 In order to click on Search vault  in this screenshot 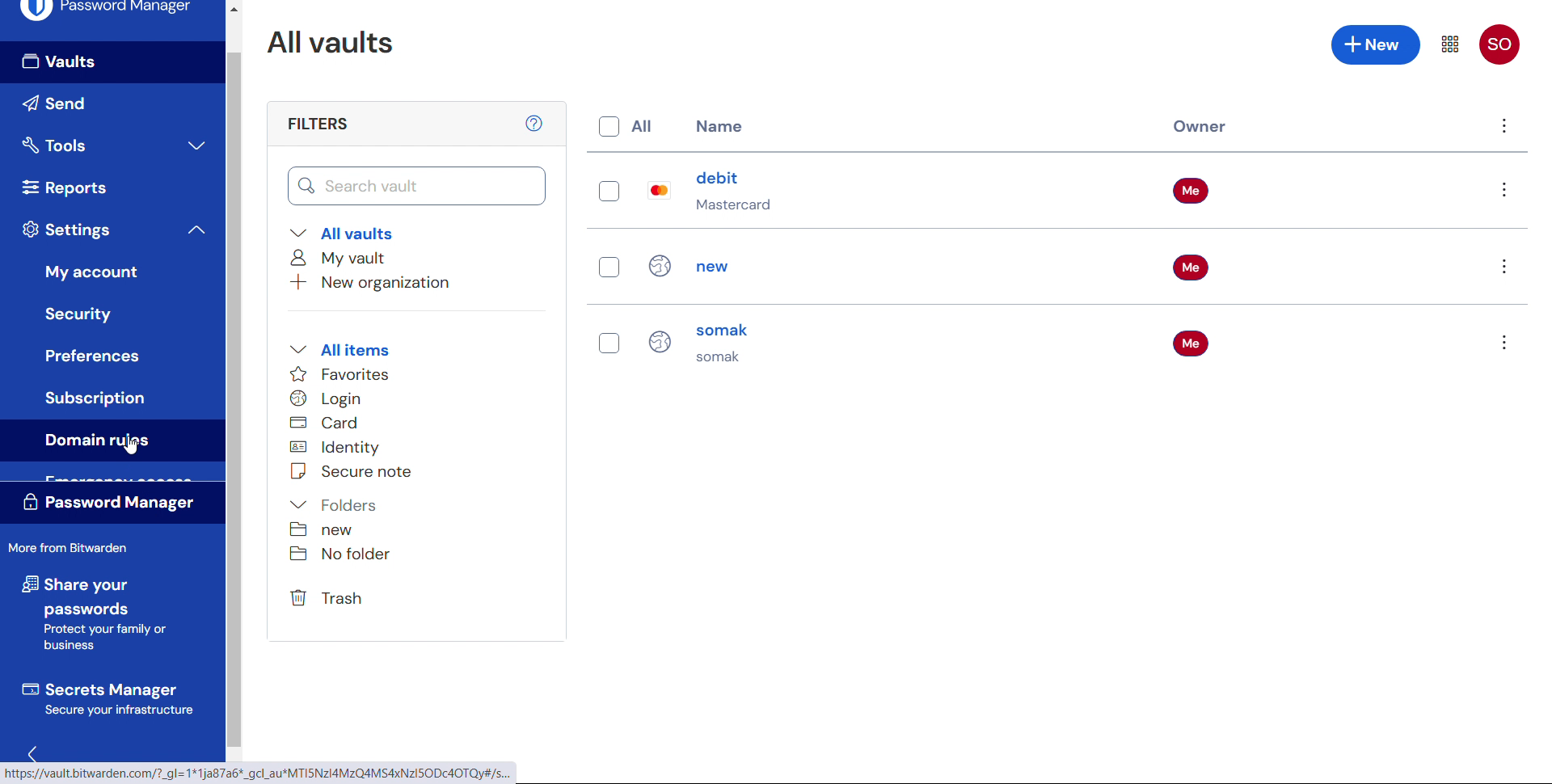, I will do `click(415, 186)`.